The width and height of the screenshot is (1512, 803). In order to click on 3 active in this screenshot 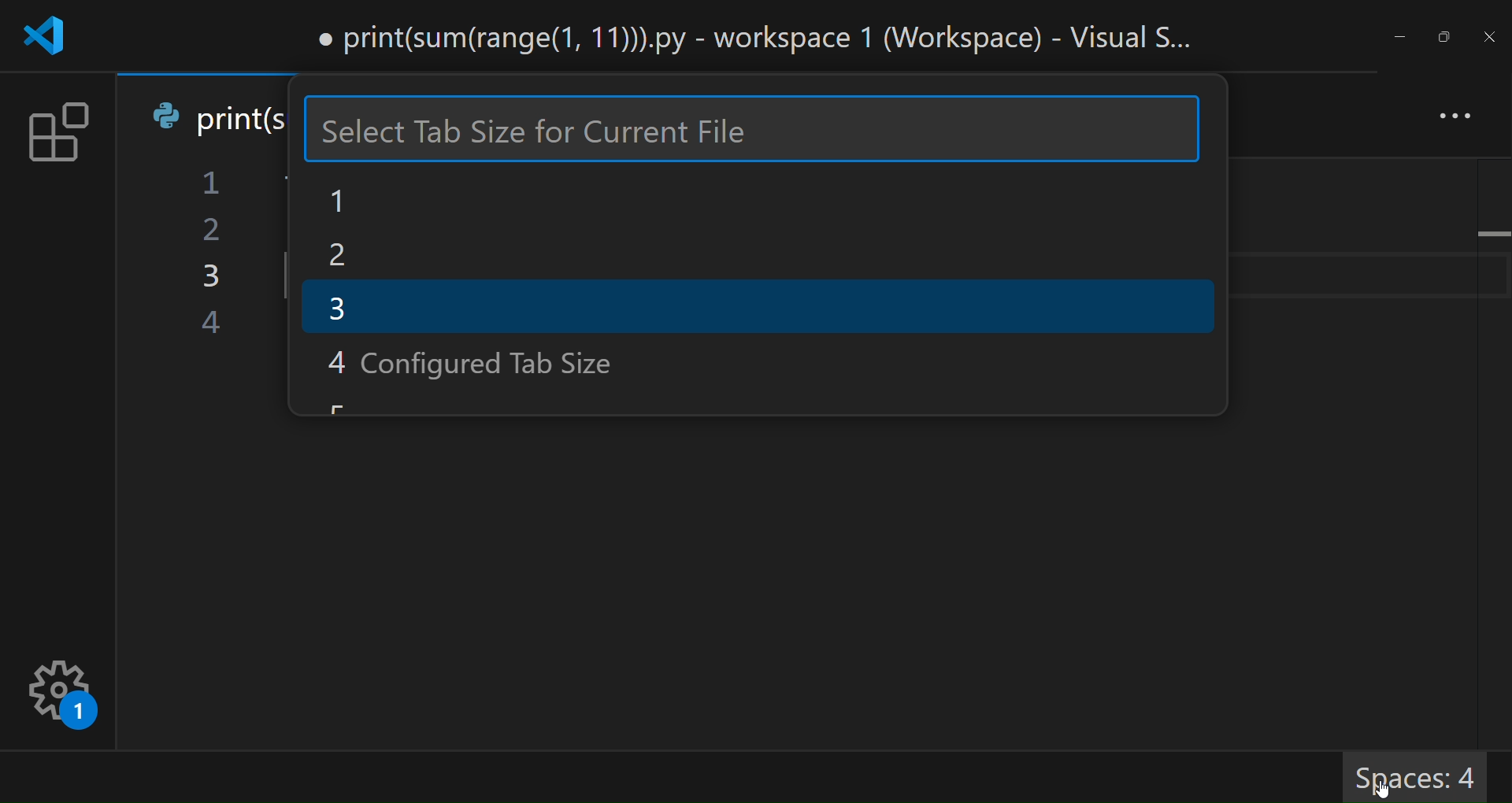, I will do `click(591, 306)`.